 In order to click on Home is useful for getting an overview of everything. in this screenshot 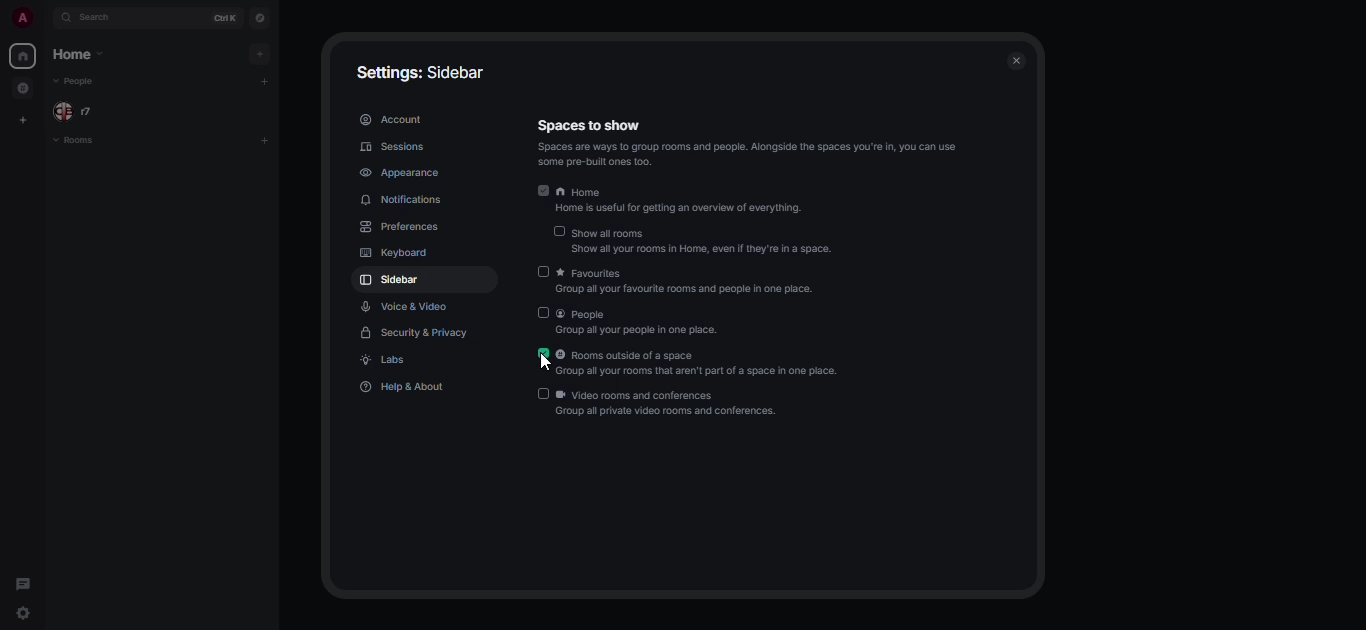, I will do `click(699, 207)`.